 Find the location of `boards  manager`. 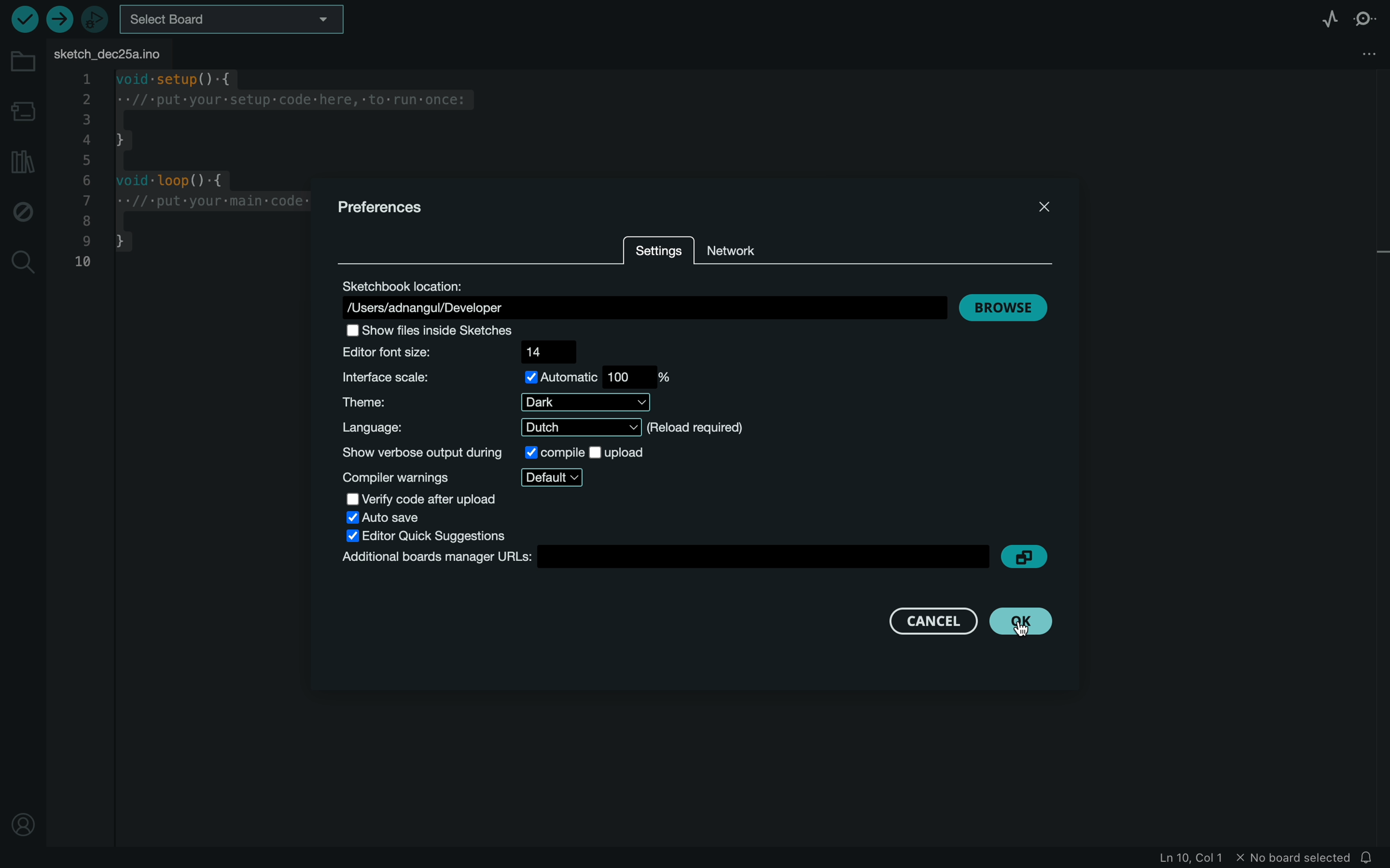

boards  manager is located at coordinates (667, 560).